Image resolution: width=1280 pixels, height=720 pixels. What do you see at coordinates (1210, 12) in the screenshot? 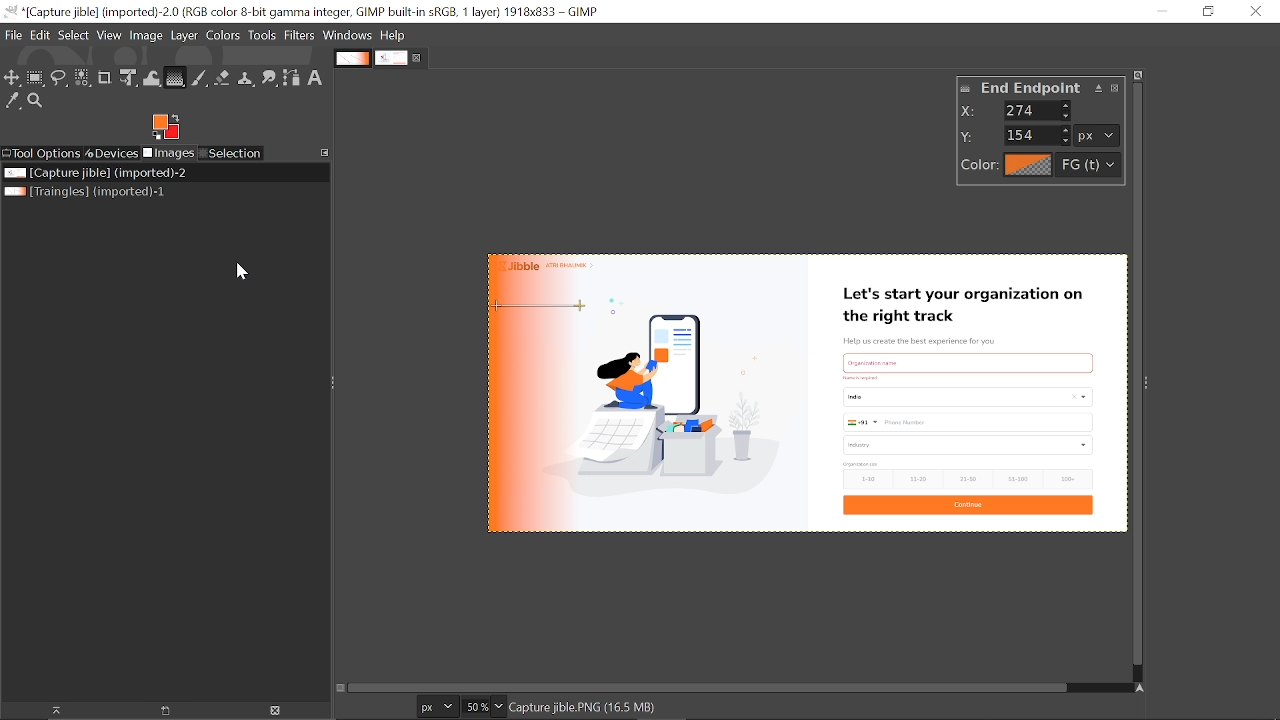
I see `Restore down` at bounding box center [1210, 12].